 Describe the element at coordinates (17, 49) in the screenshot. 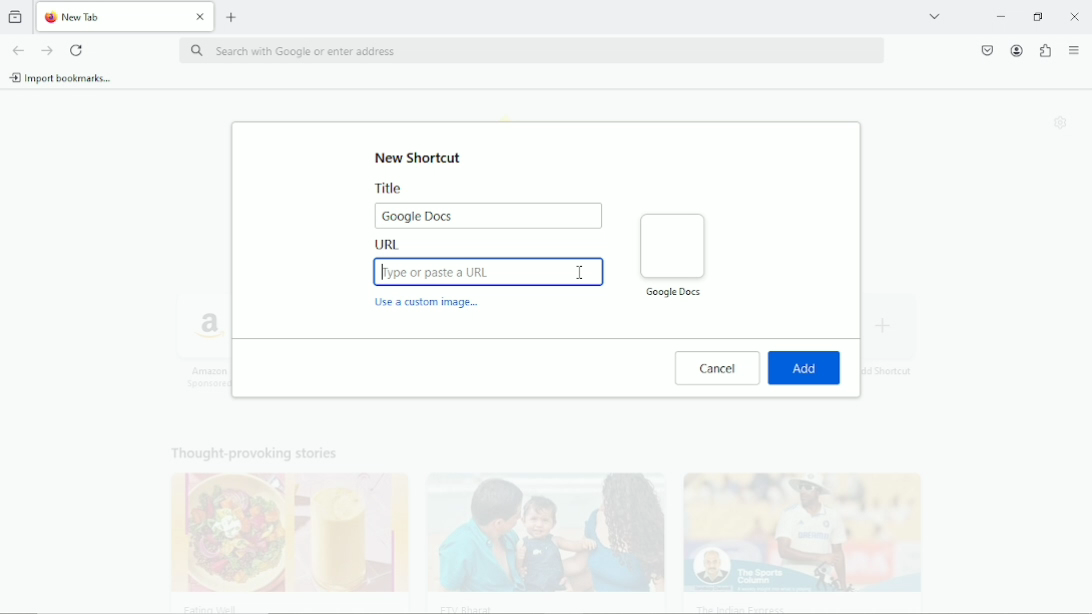

I see `go back` at that location.